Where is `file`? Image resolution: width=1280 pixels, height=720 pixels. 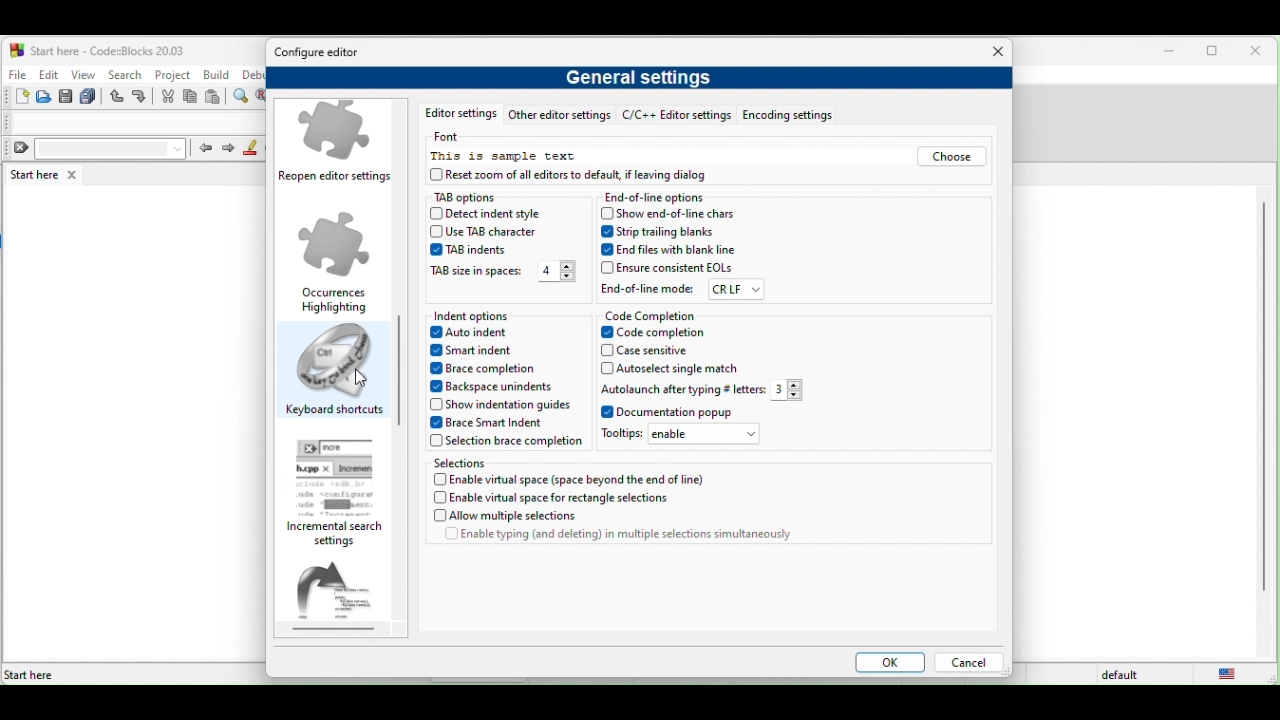 file is located at coordinates (16, 72).